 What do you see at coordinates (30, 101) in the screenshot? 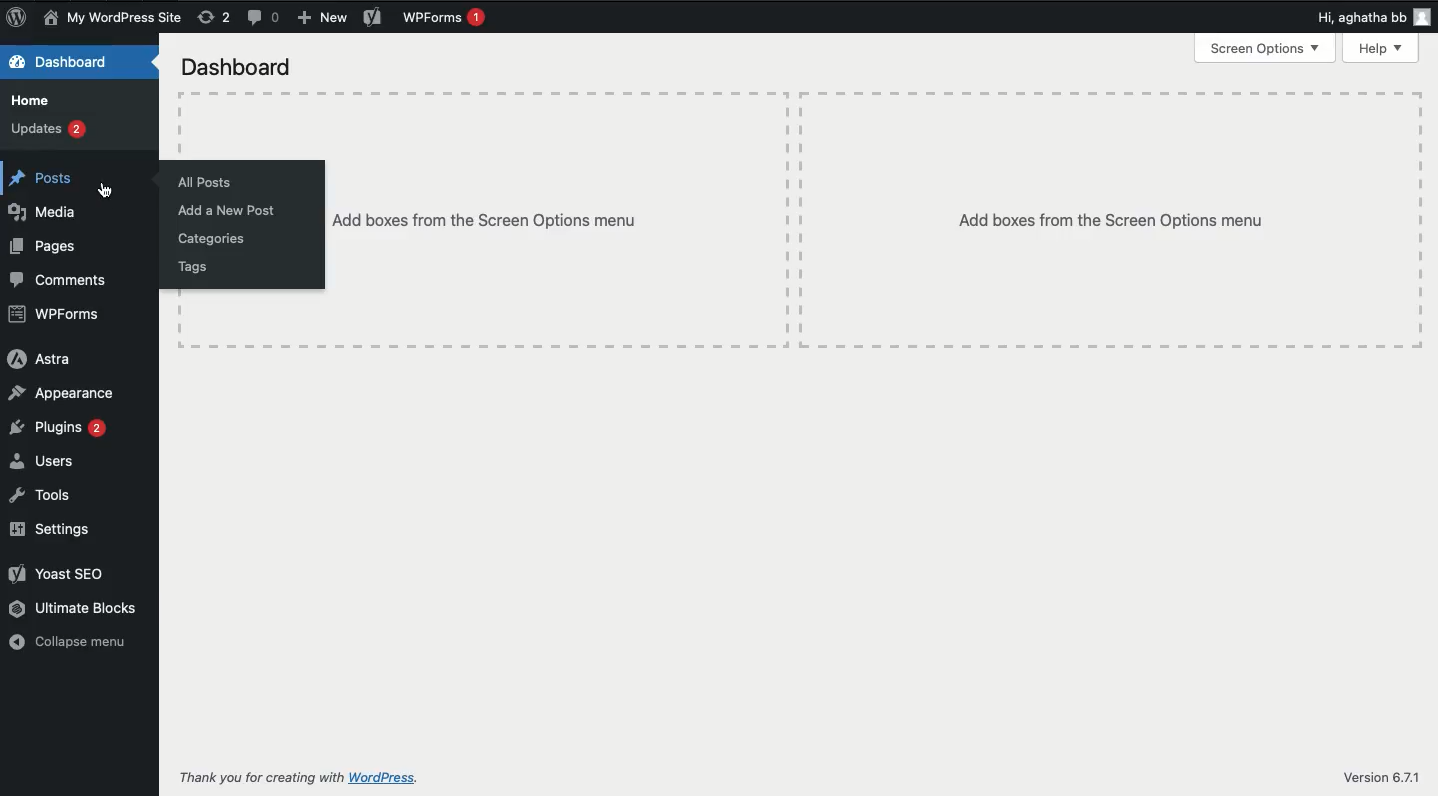
I see `Home` at bounding box center [30, 101].